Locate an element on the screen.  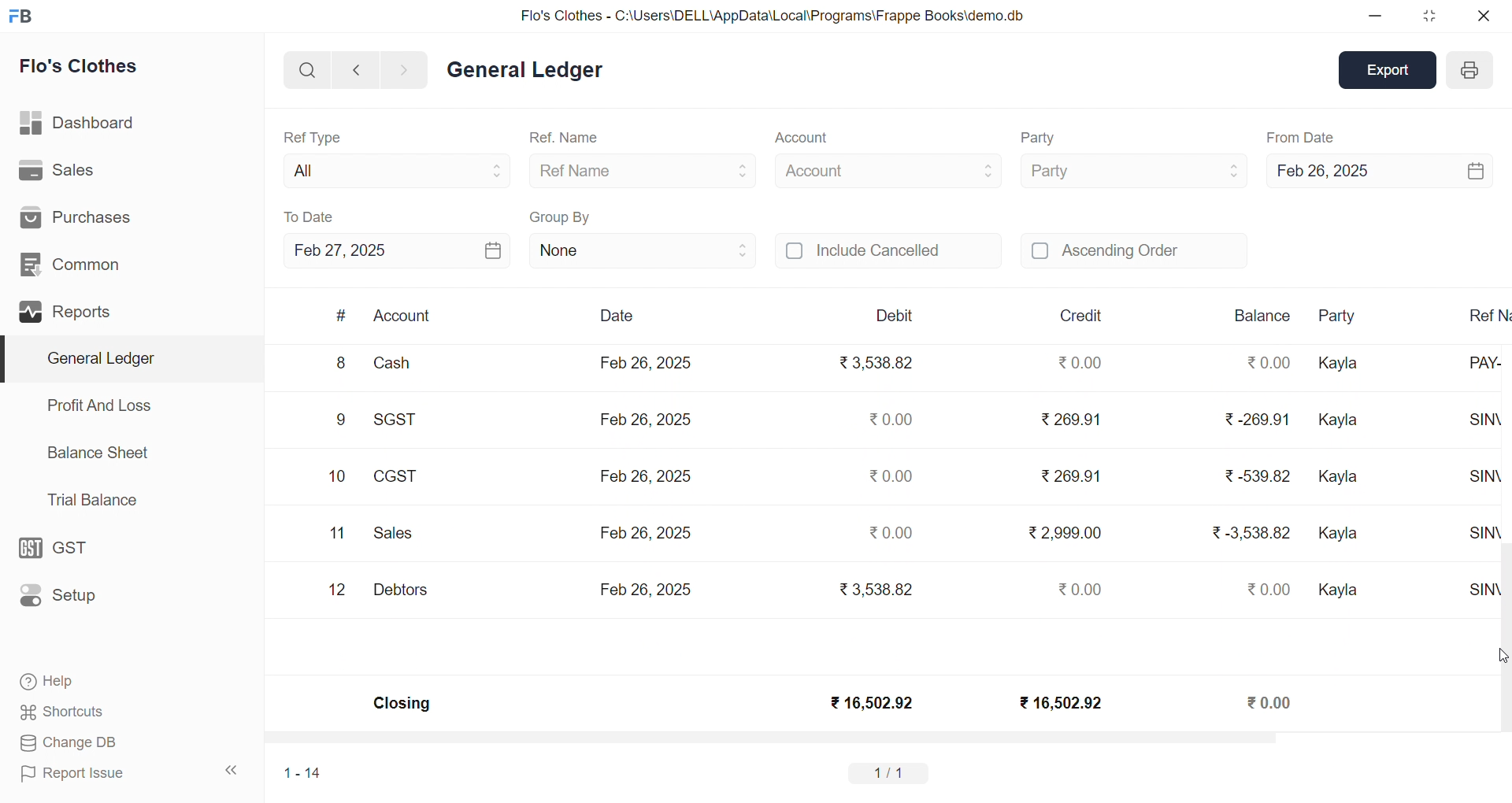
Cash is located at coordinates (402, 366).